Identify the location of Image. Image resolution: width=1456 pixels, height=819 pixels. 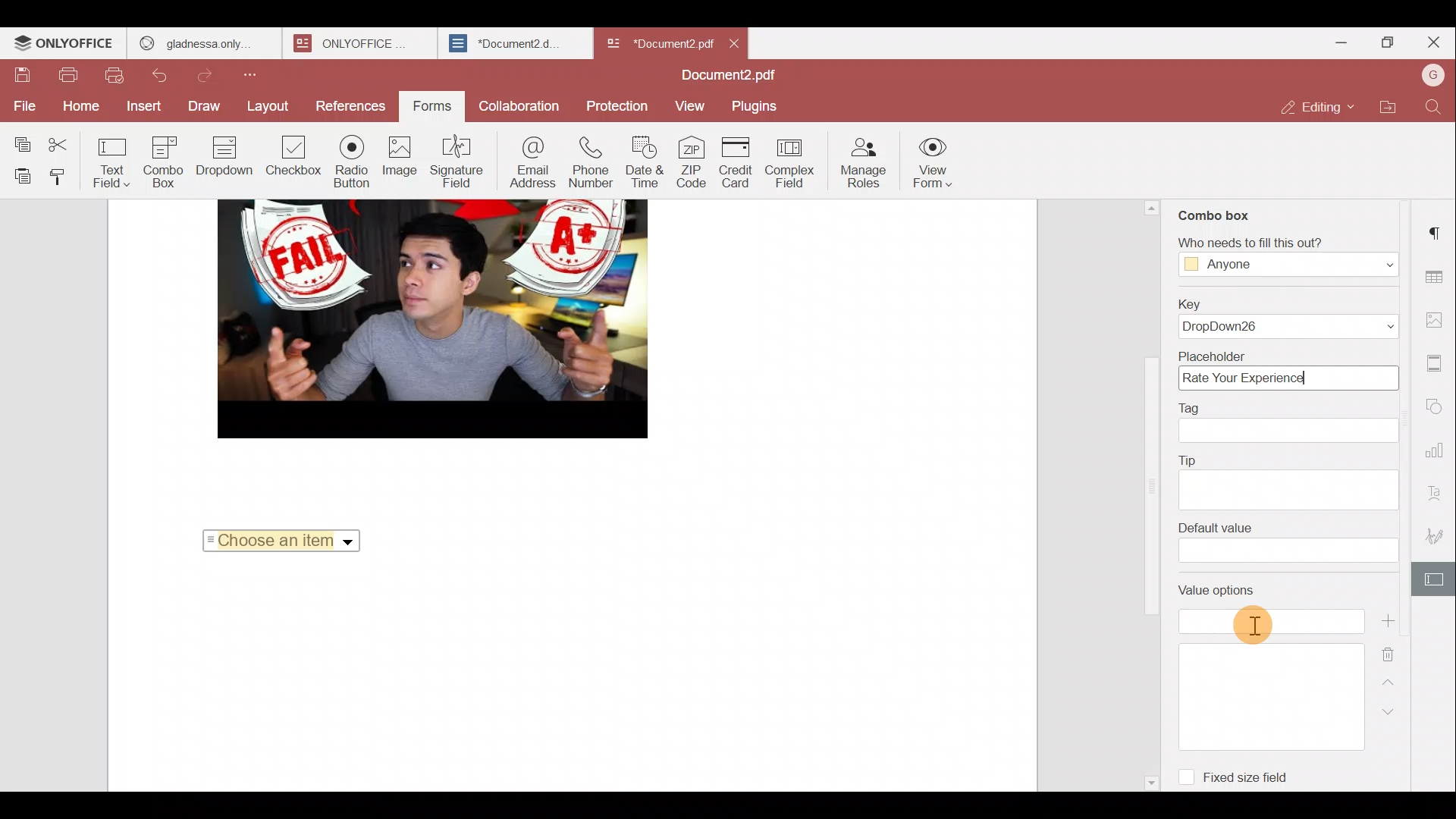
(400, 159).